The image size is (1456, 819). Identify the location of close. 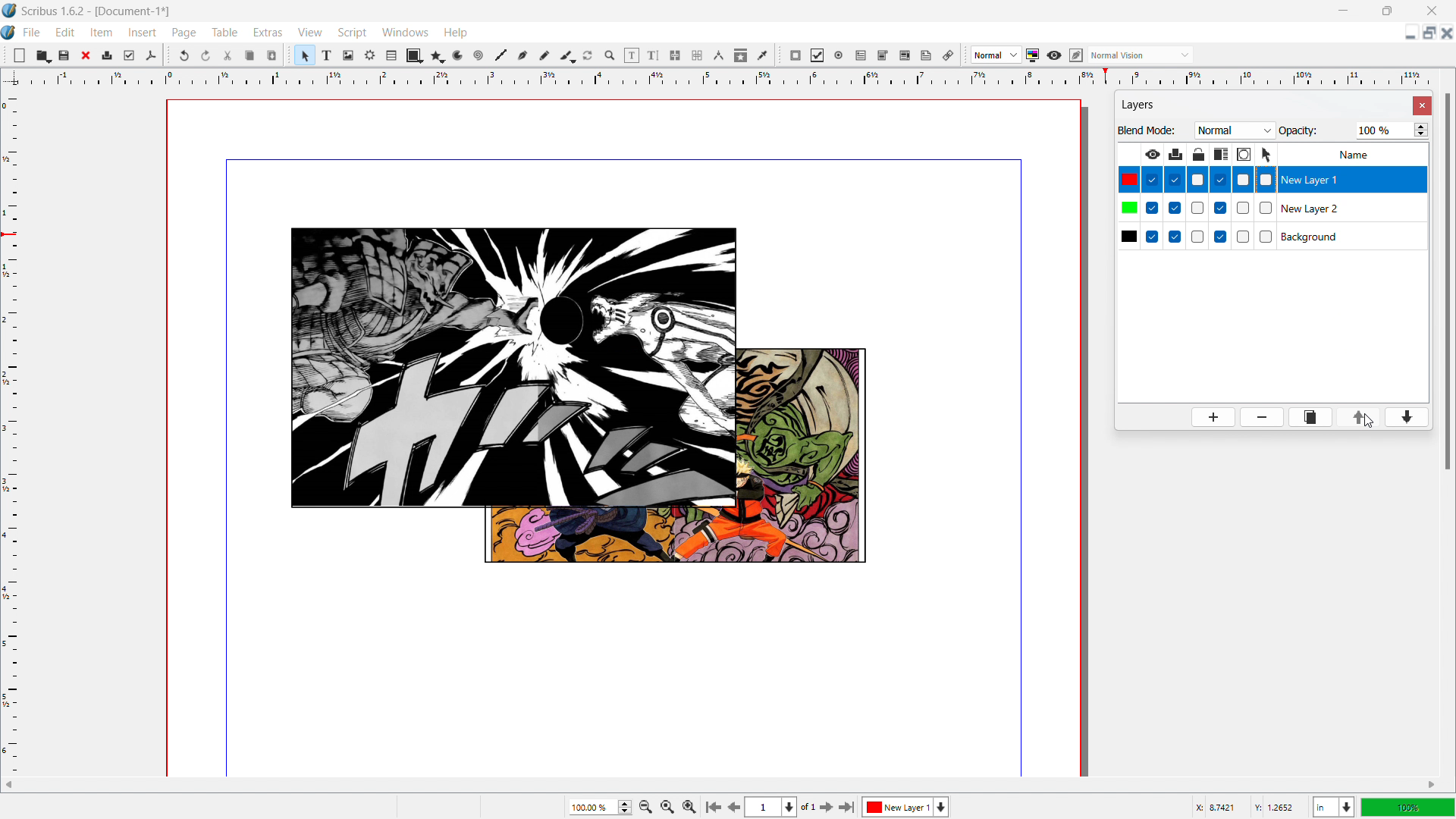
(87, 55).